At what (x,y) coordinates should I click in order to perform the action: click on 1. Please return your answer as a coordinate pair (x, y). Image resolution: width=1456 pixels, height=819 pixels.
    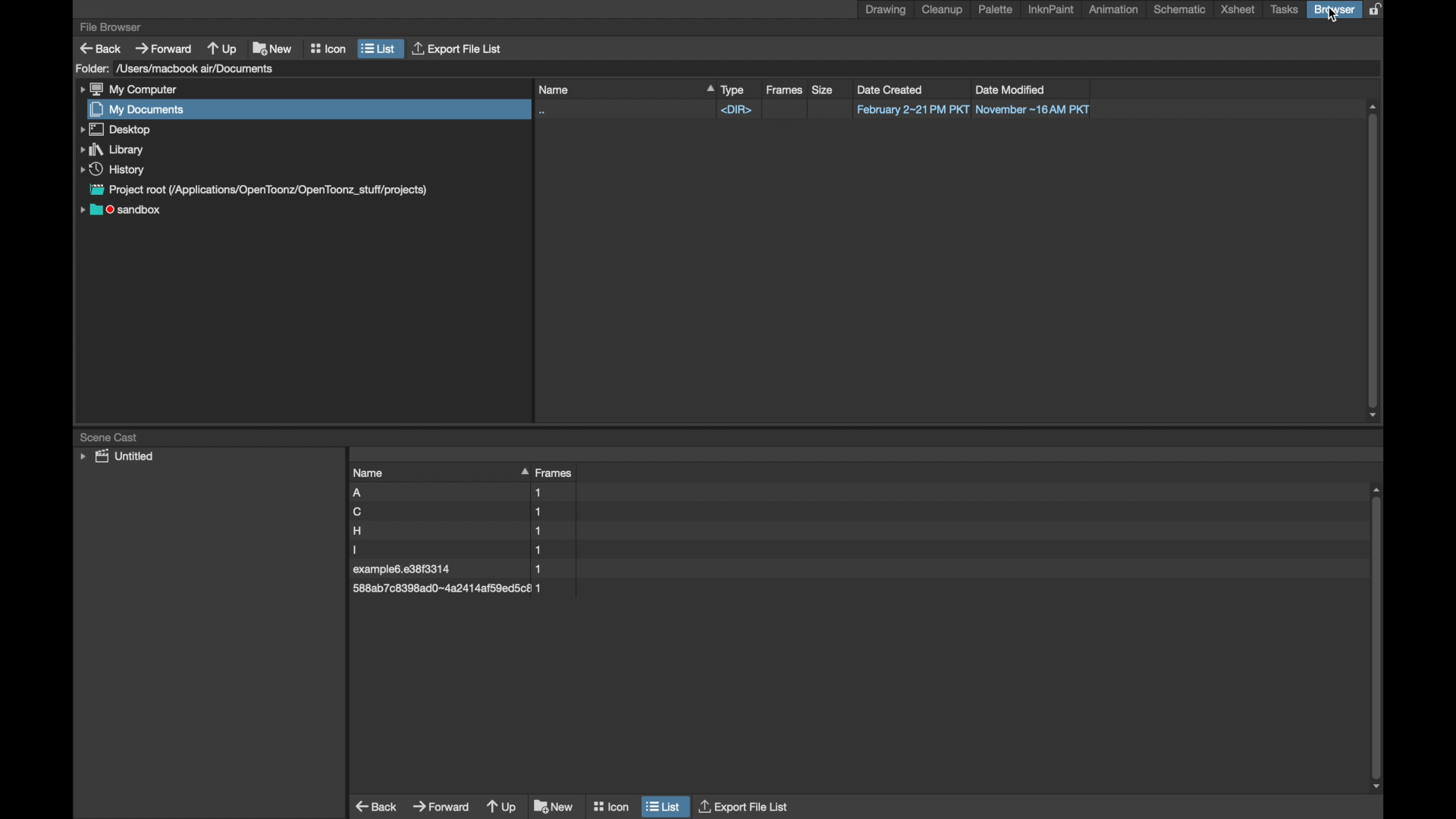
    Looking at the image, I should click on (551, 492).